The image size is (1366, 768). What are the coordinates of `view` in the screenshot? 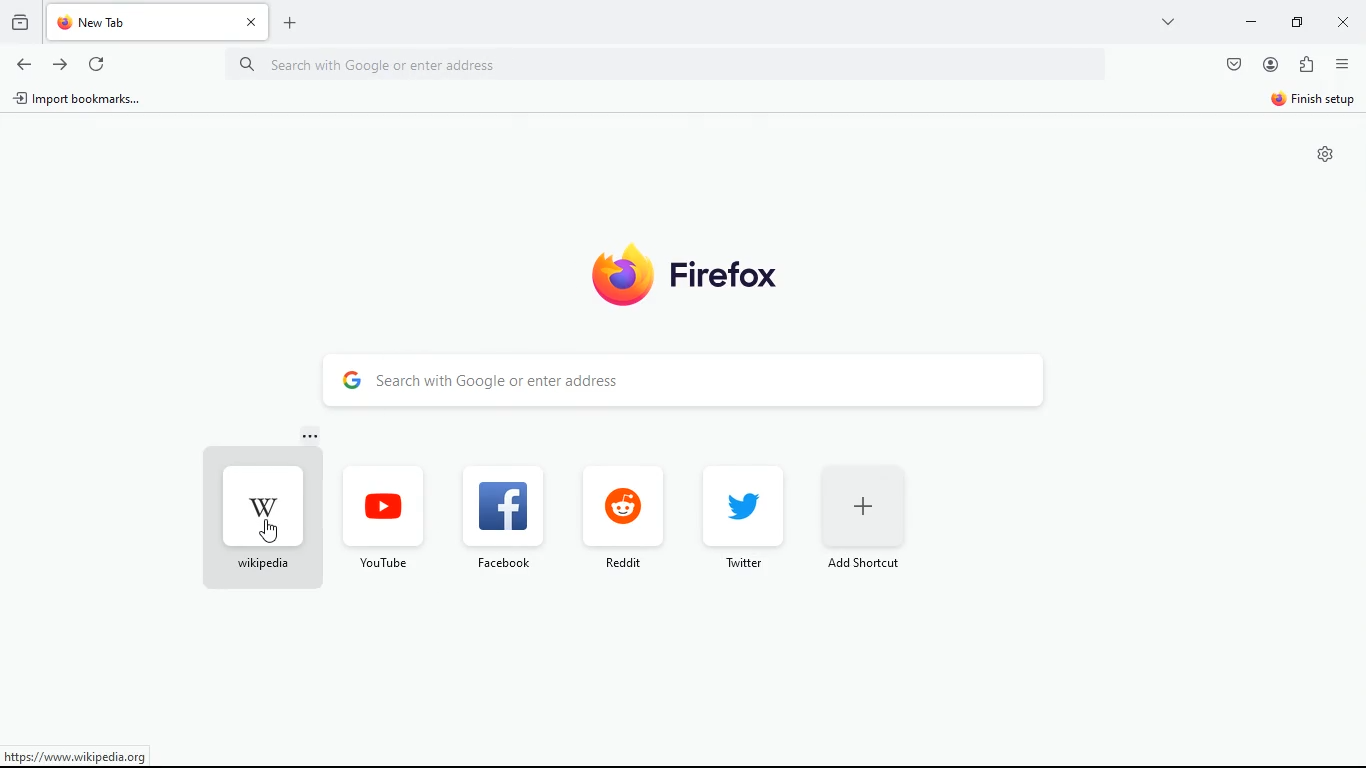 It's located at (1169, 25).